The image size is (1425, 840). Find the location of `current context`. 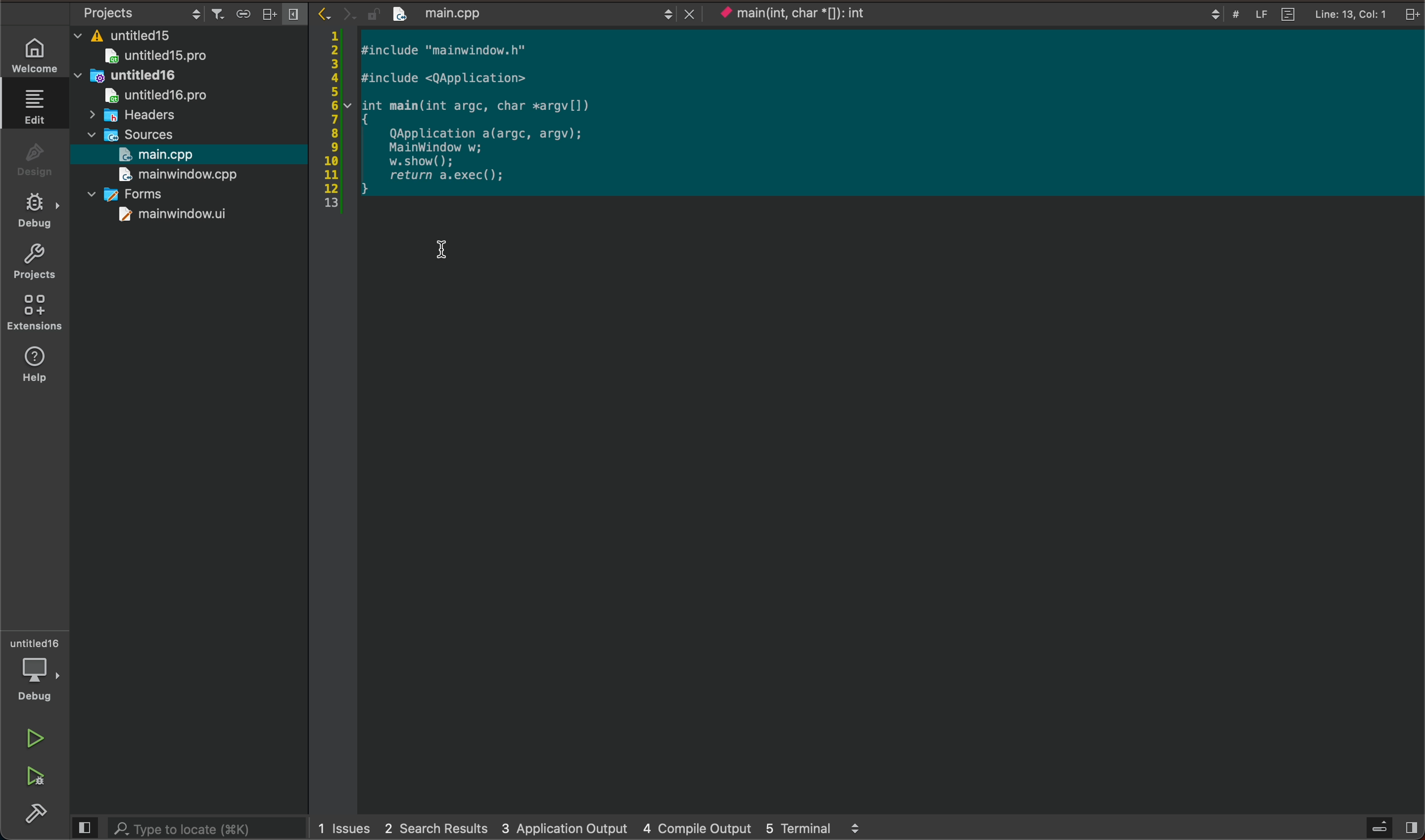

current context is located at coordinates (808, 18).